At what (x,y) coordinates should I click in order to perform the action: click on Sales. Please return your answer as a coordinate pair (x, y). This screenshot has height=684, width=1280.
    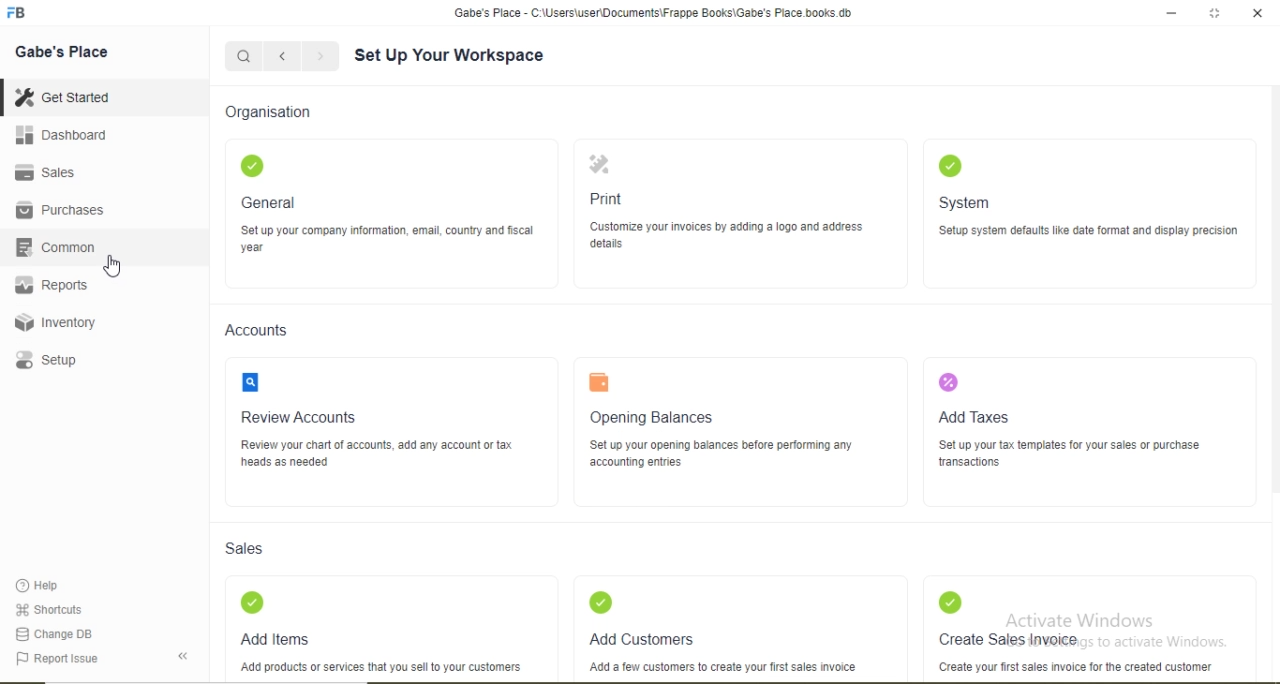
    Looking at the image, I should click on (42, 172).